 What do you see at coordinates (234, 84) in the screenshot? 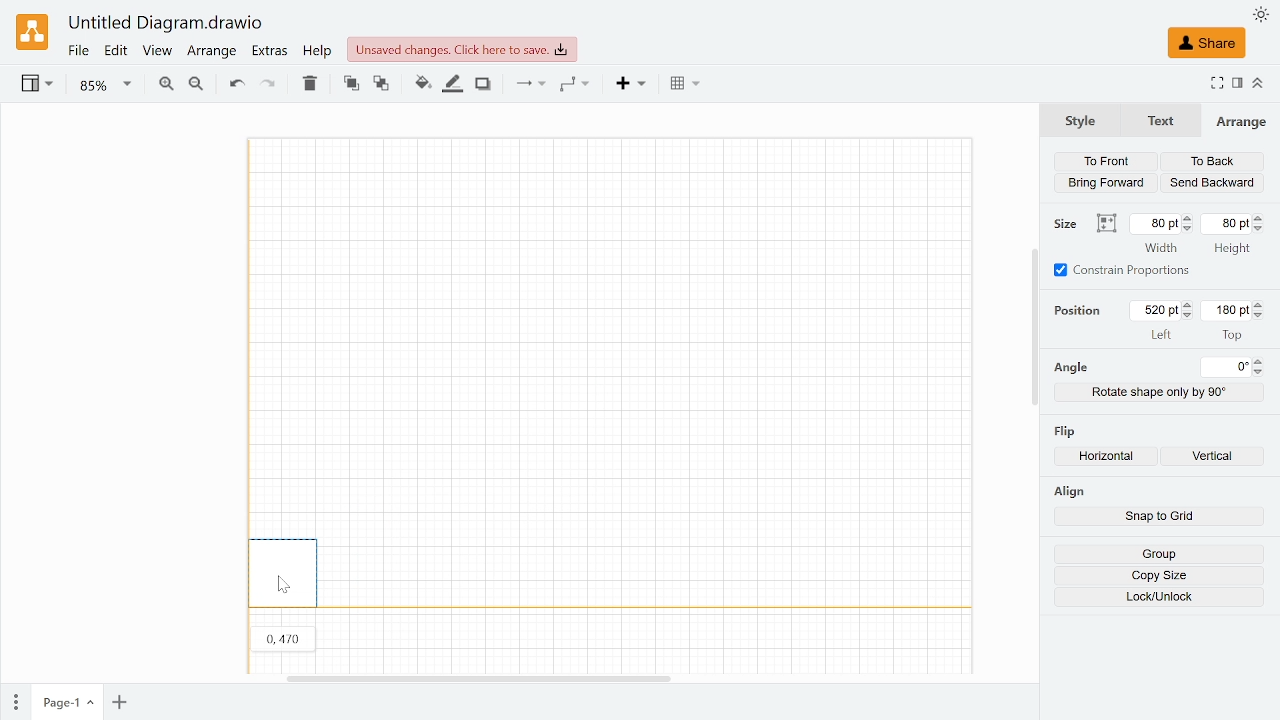
I see `undo` at bounding box center [234, 84].